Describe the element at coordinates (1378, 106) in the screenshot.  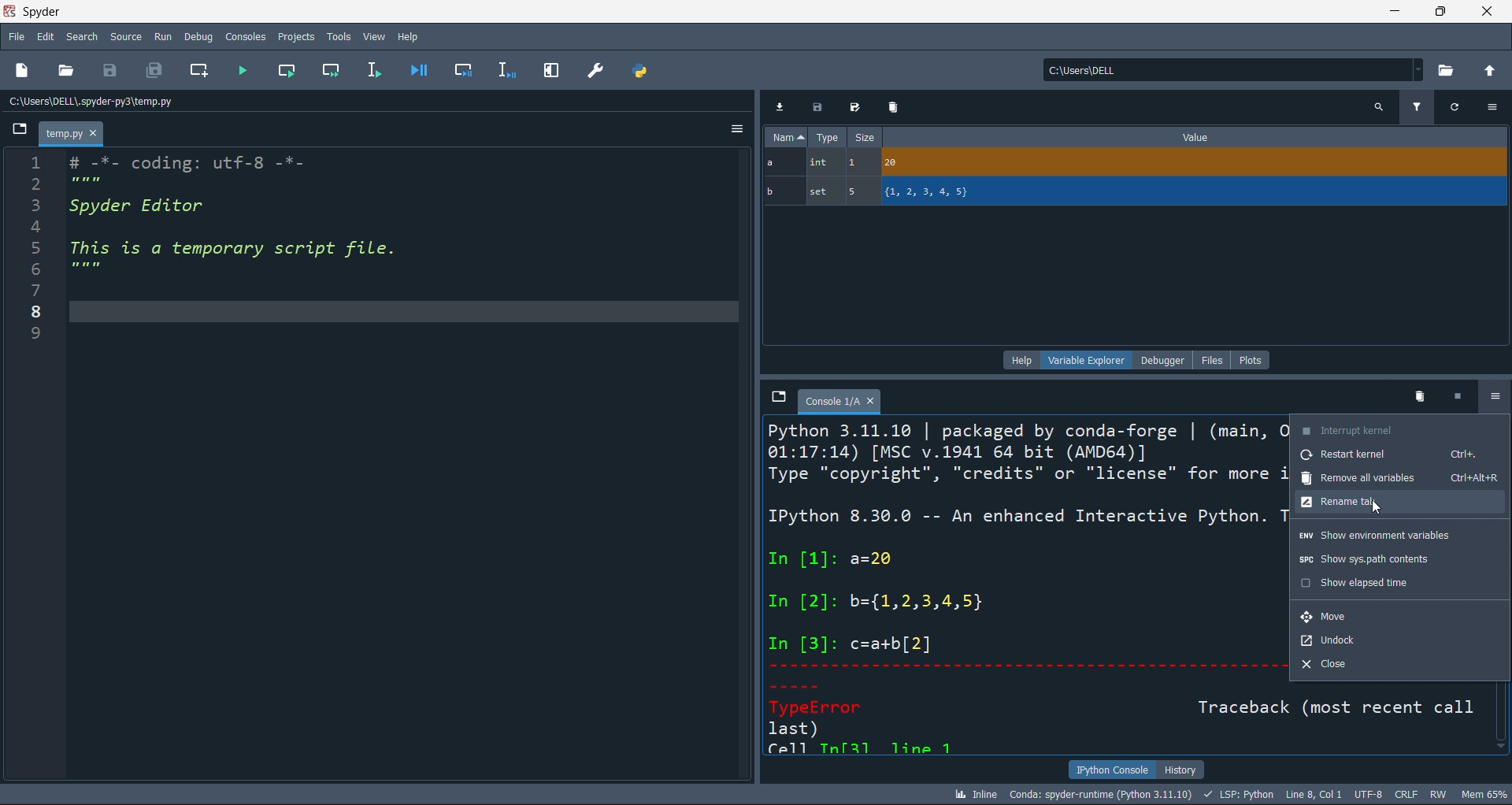
I see `search` at that location.